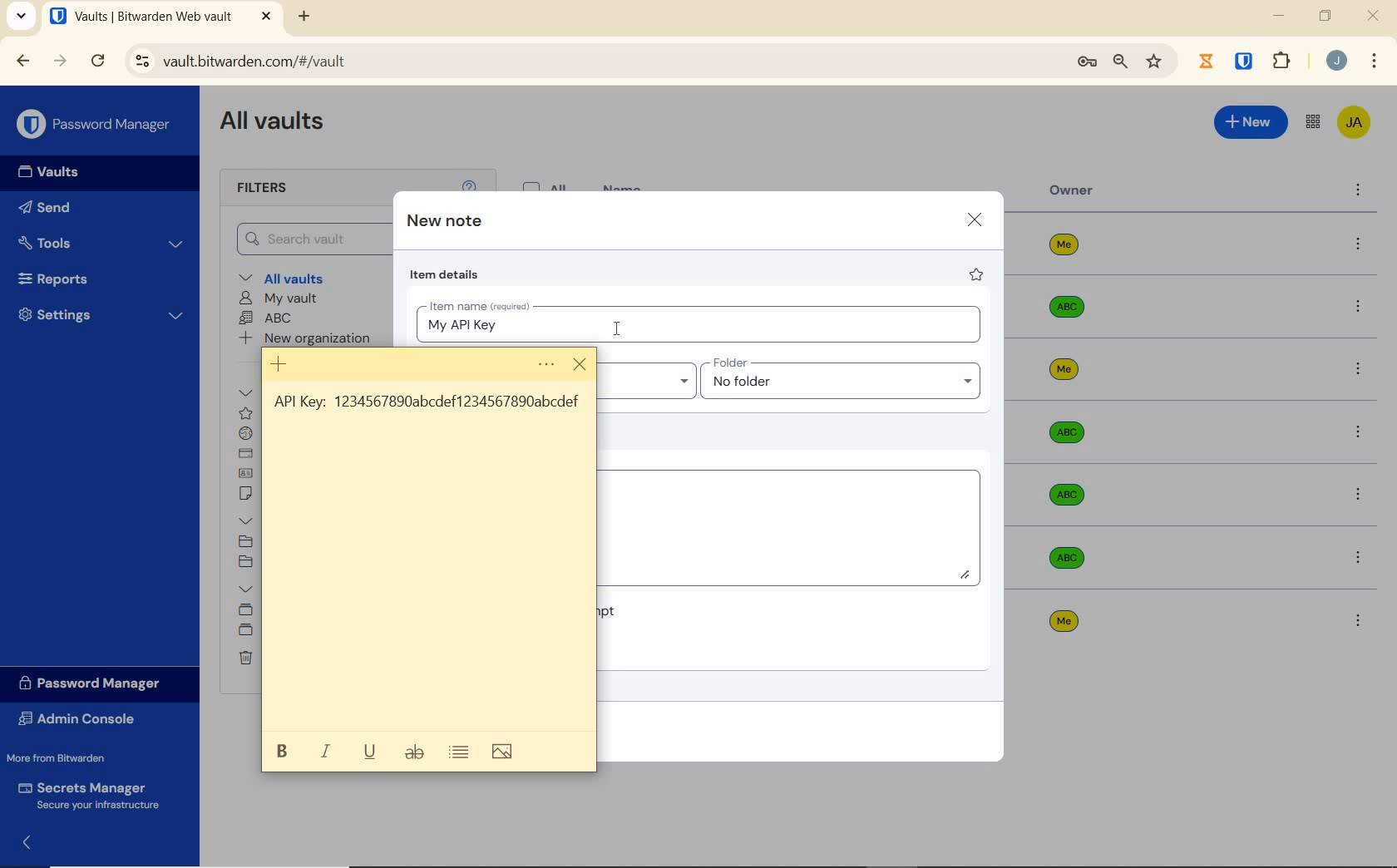 This screenshot has height=868, width=1397. What do you see at coordinates (245, 587) in the screenshot?
I see `Collections` at bounding box center [245, 587].